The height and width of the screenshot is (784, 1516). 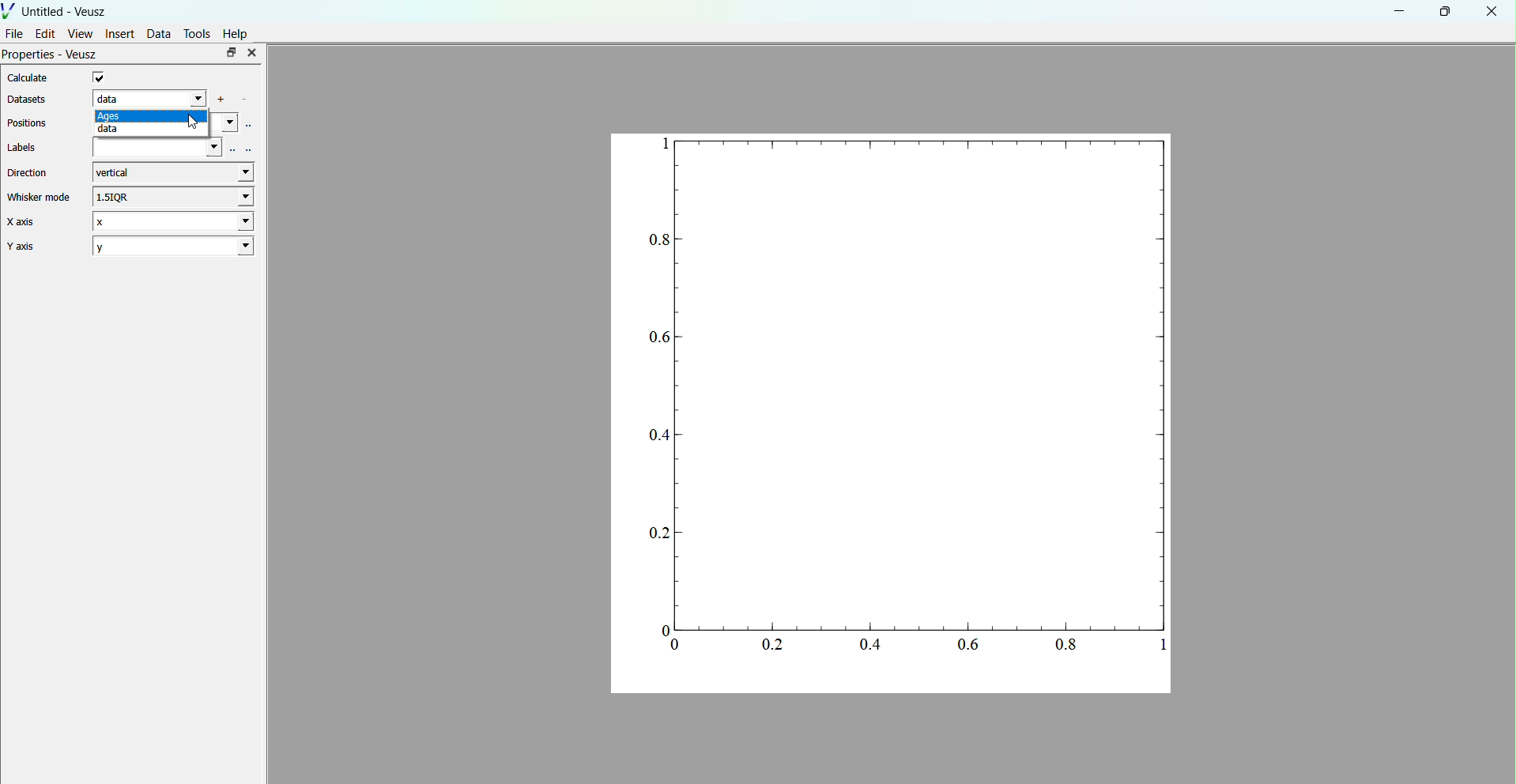 What do you see at coordinates (893, 412) in the screenshot?
I see `graphs` at bounding box center [893, 412].